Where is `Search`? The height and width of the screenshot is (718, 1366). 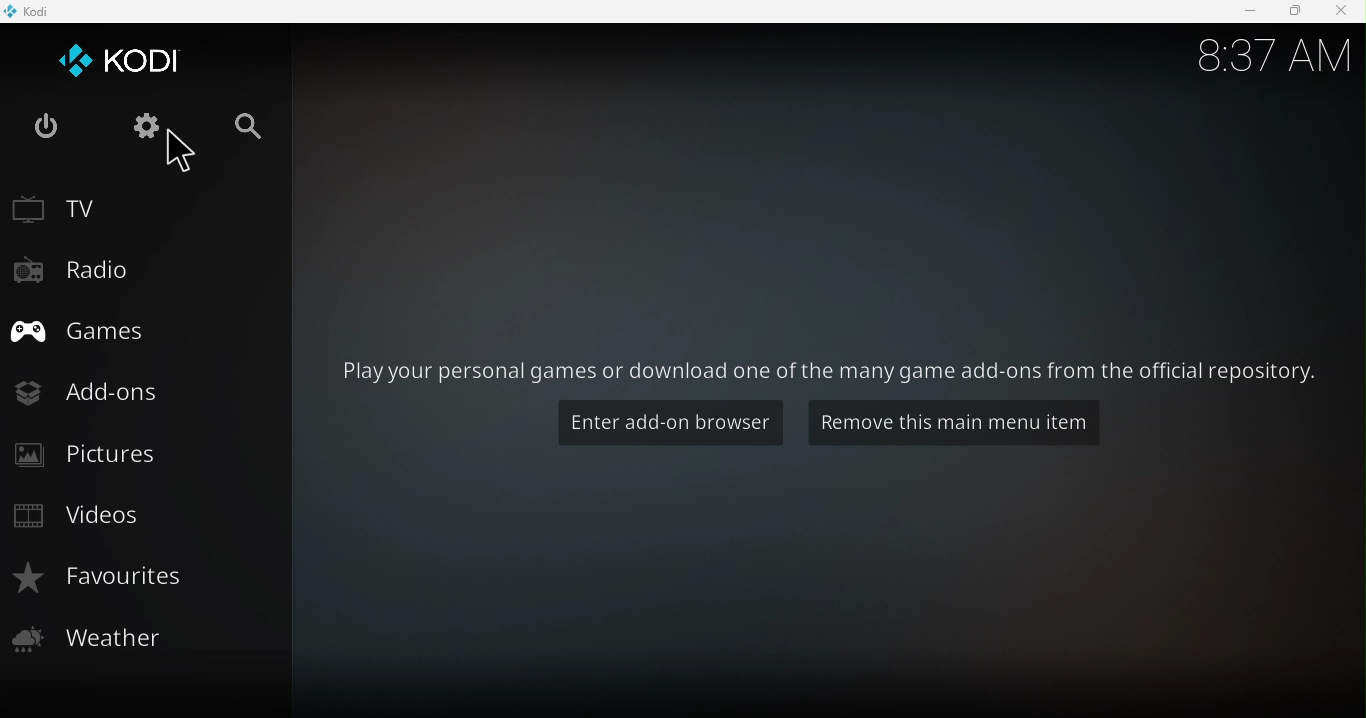 Search is located at coordinates (261, 126).